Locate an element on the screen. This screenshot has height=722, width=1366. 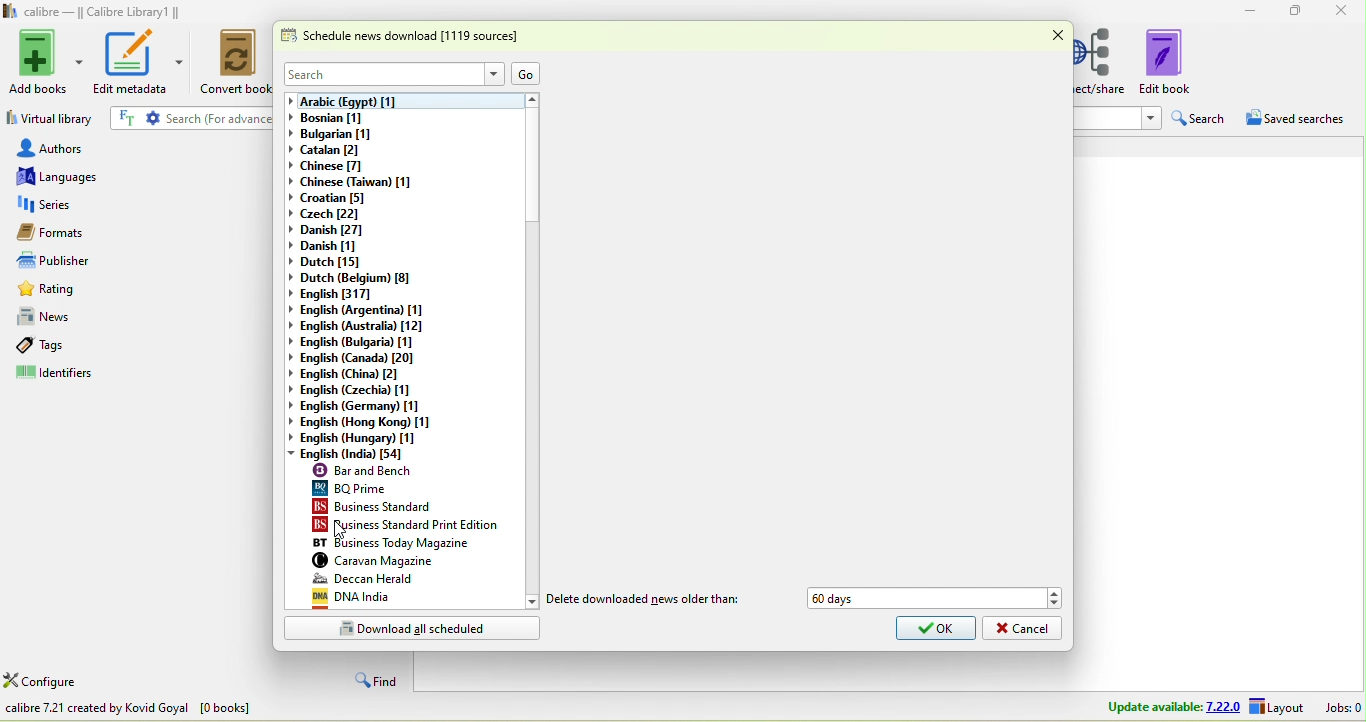
rating is located at coordinates (142, 290).